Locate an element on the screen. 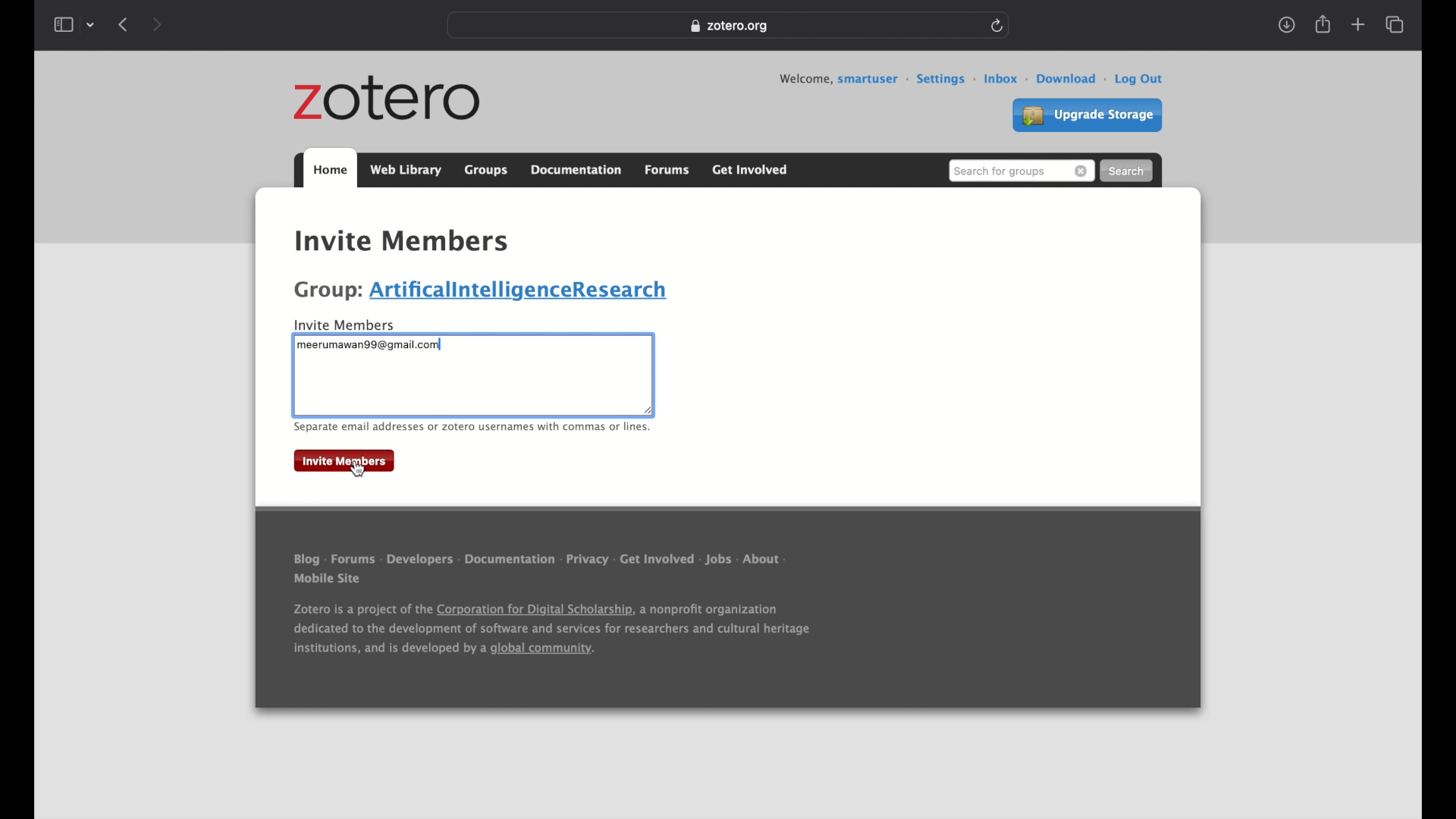  documentation is located at coordinates (576, 169).